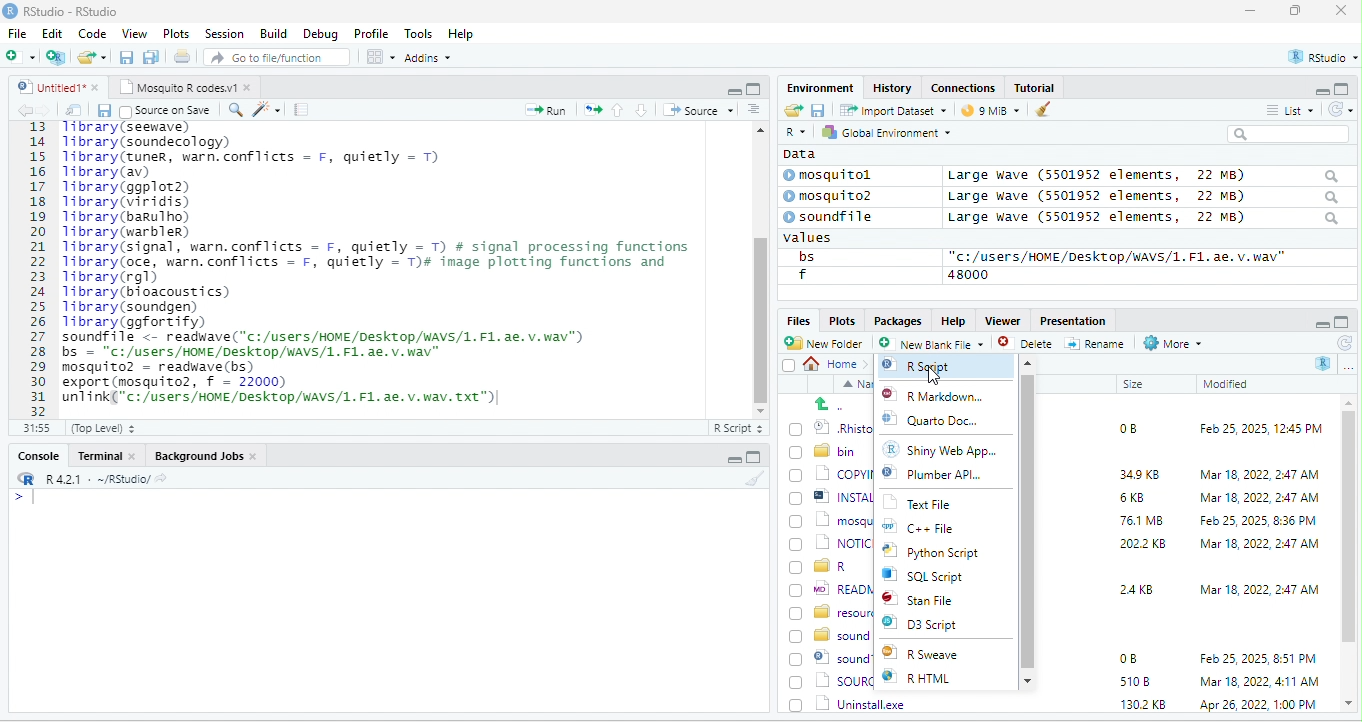  What do you see at coordinates (1227, 384) in the screenshot?
I see `Modified` at bounding box center [1227, 384].